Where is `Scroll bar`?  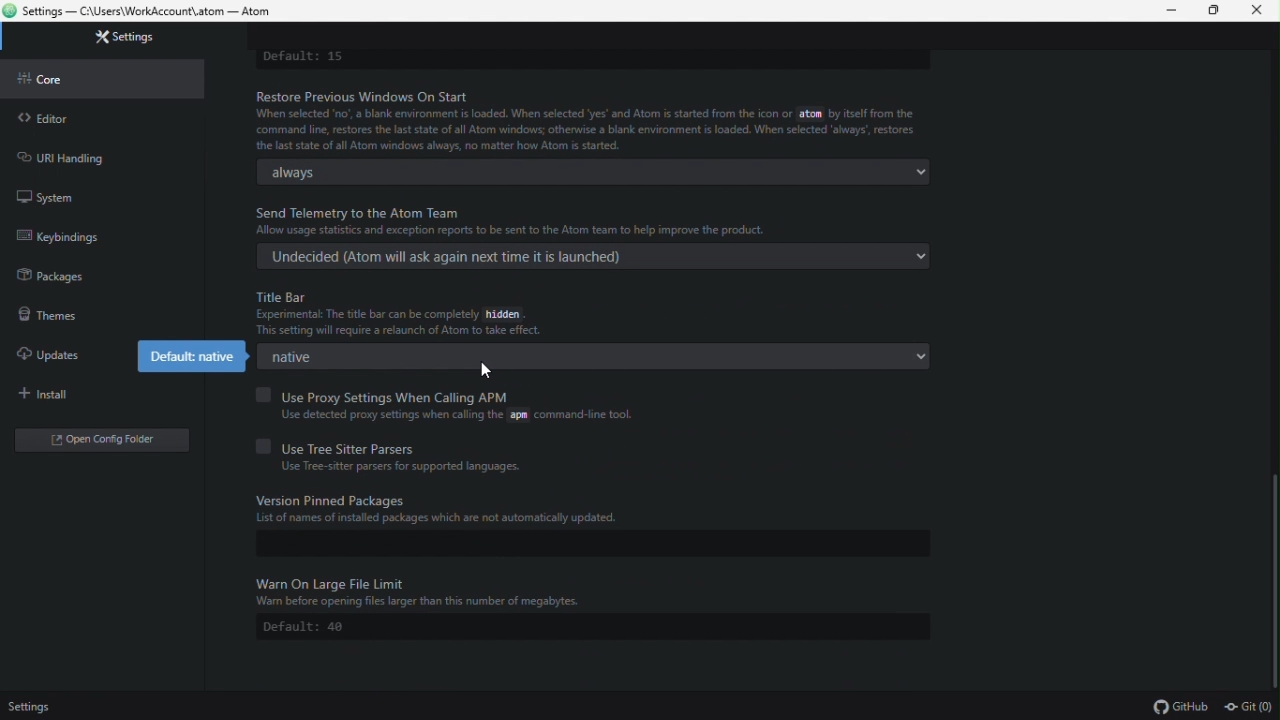
Scroll bar is located at coordinates (1272, 581).